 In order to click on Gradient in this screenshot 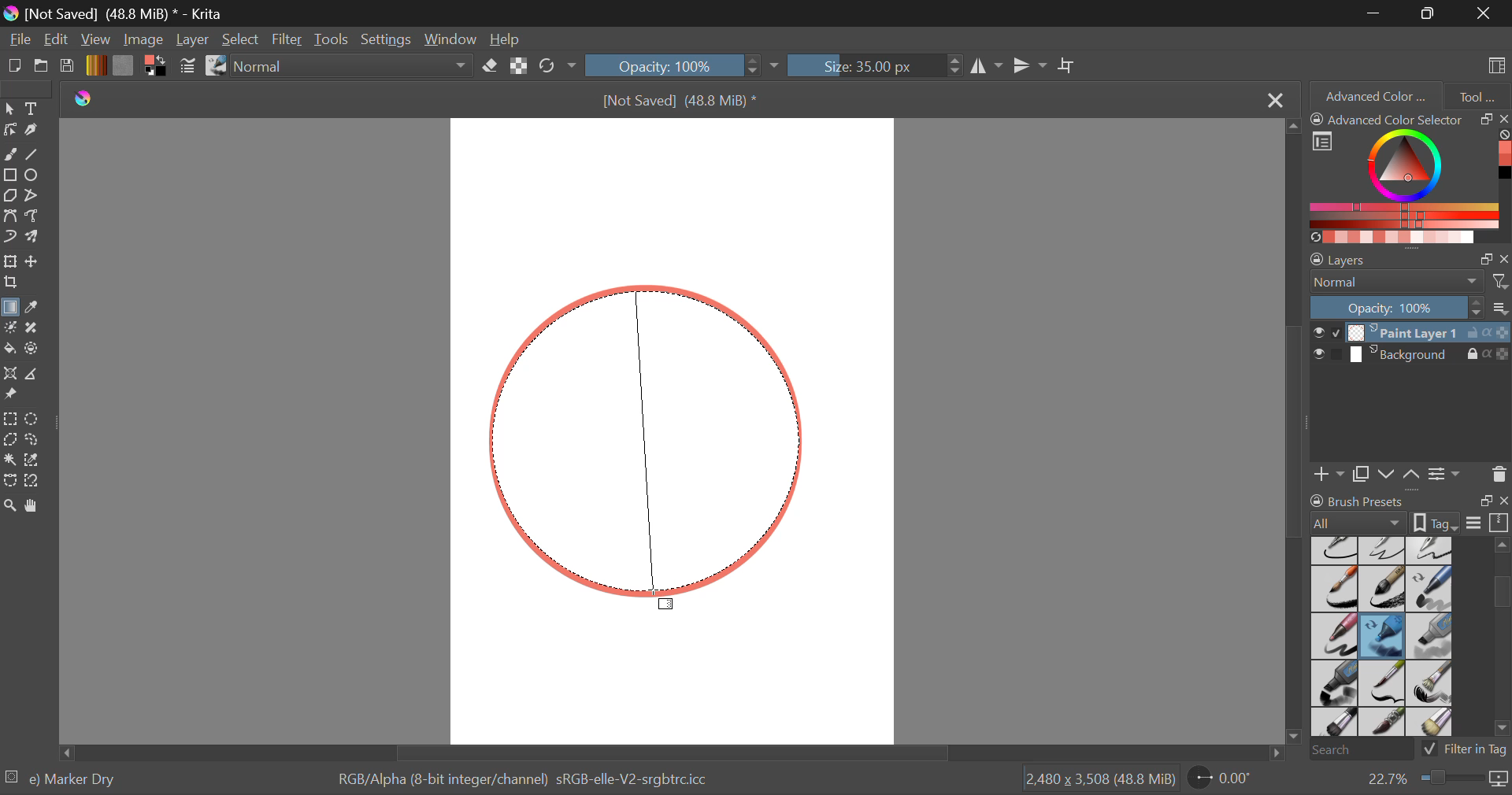, I will do `click(95, 65)`.